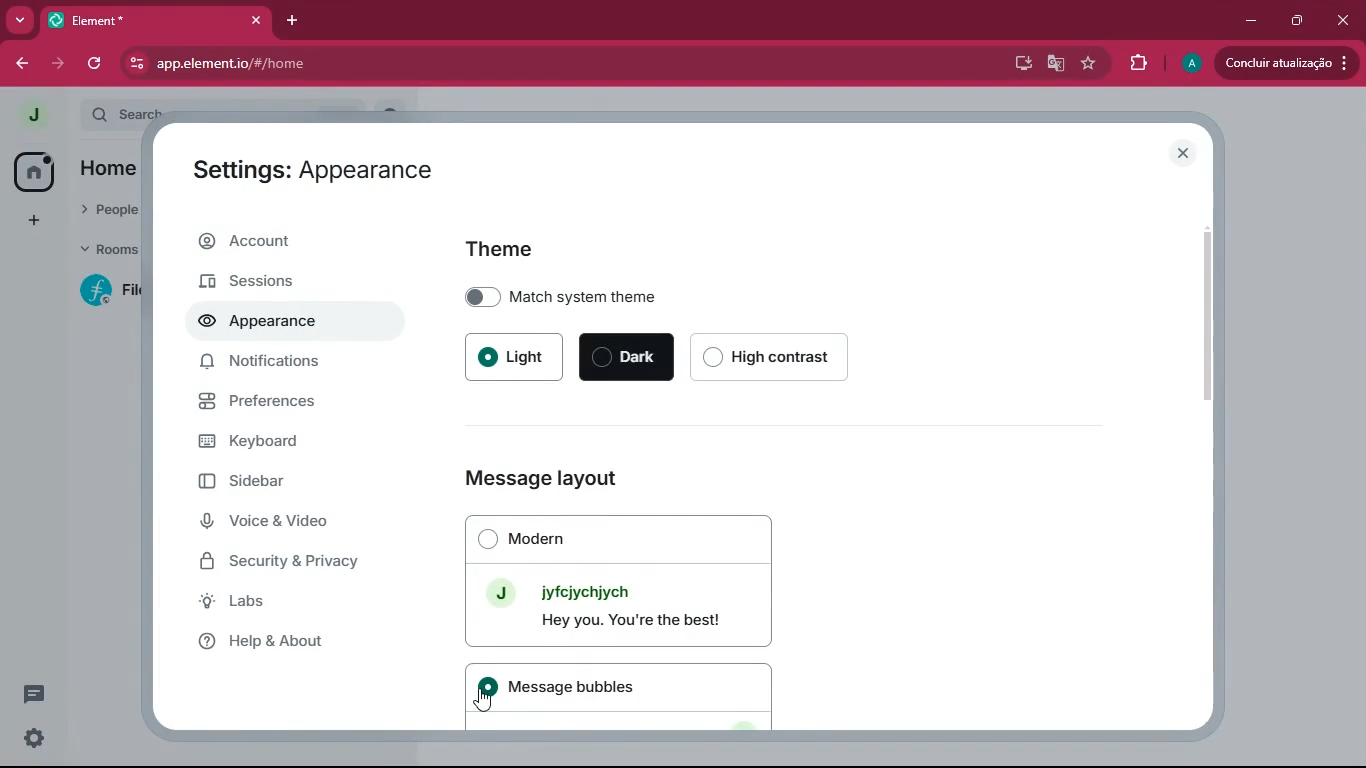 Image resolution: width=1366 pixels, height=768 pixels. What do you see at coordinates (113, 169) in the screenshot?
I see `home` at bounding box center [113, 169].